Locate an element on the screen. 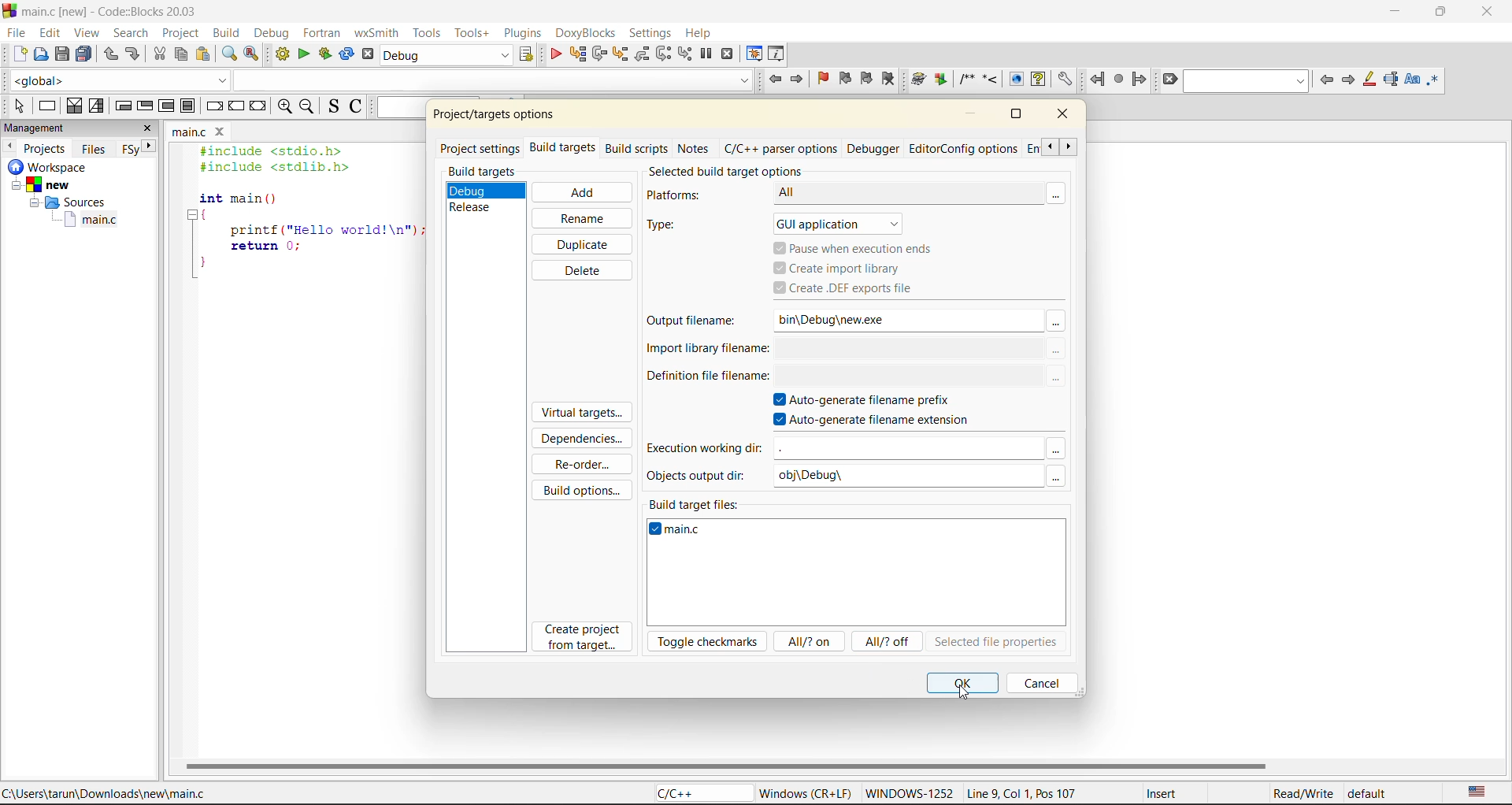 This screenshot has width=1512, height=805. jump back is located at coordinates (774, 81).